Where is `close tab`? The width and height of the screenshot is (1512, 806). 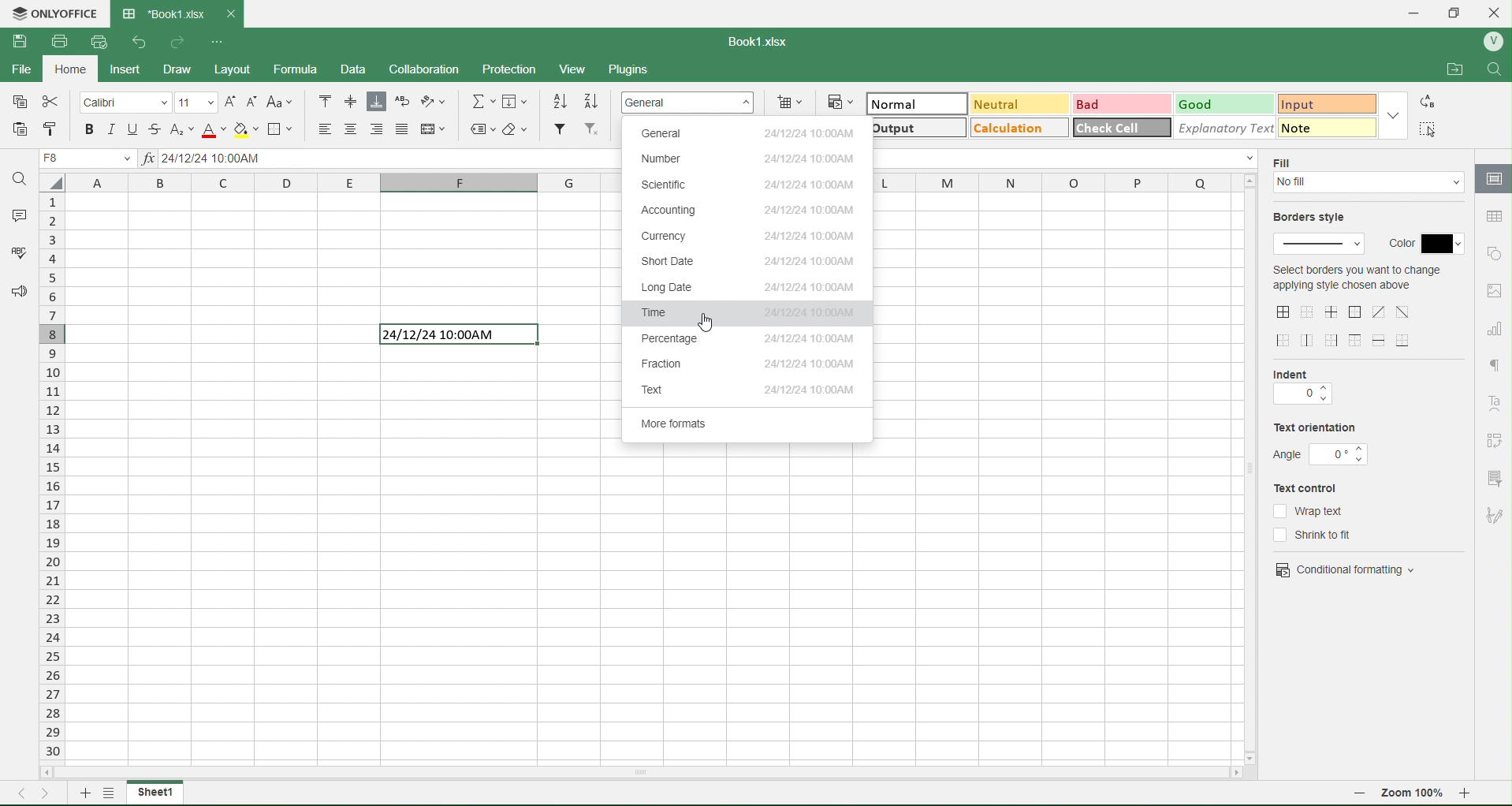
close tab is located at coordinates (236, 13).